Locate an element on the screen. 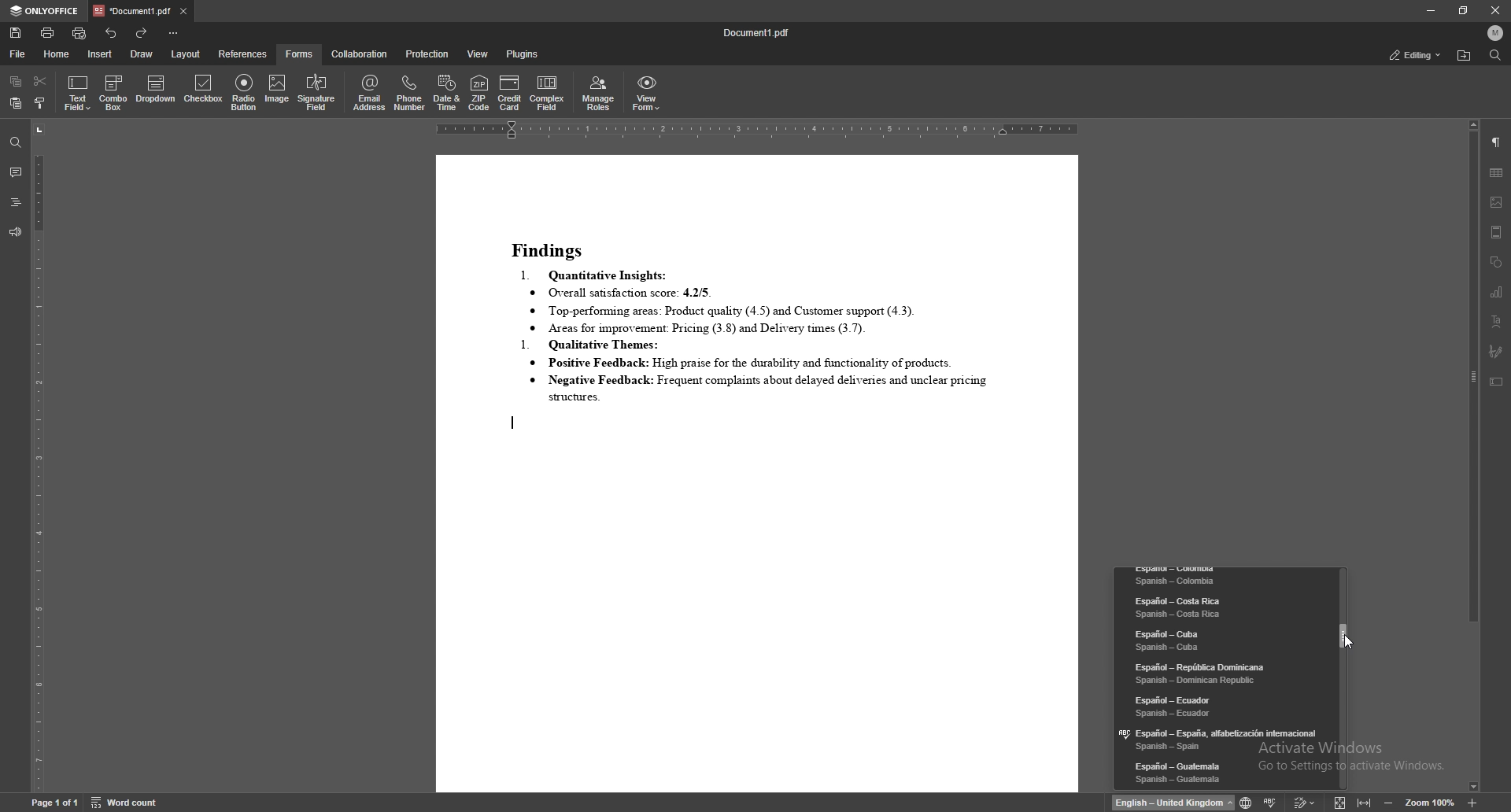 The image size is (1511, 812). profile is located at coordinates (1495, 31).